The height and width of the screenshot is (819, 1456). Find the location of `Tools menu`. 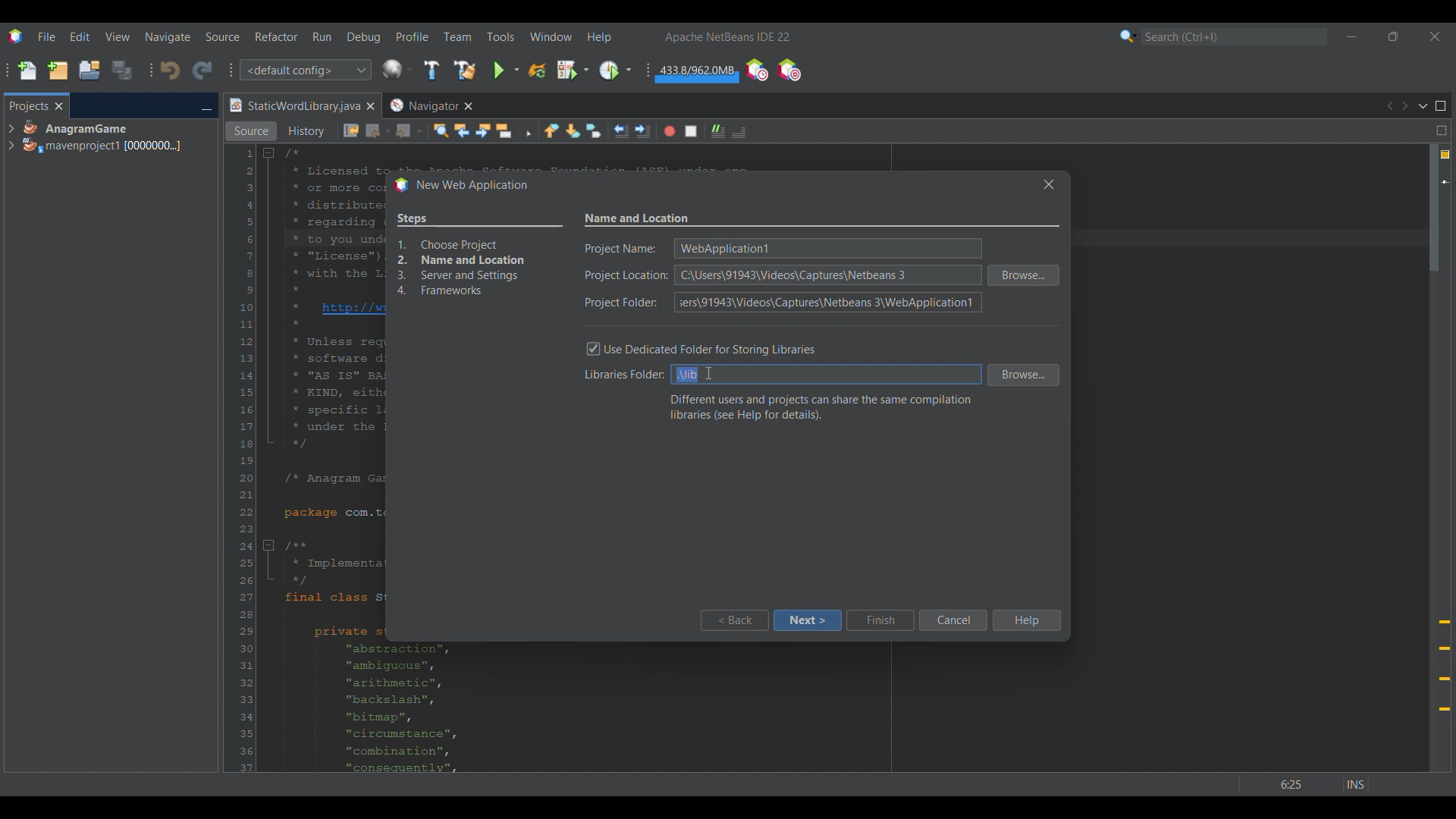

Tools menu is located at coordinates (500, 36).